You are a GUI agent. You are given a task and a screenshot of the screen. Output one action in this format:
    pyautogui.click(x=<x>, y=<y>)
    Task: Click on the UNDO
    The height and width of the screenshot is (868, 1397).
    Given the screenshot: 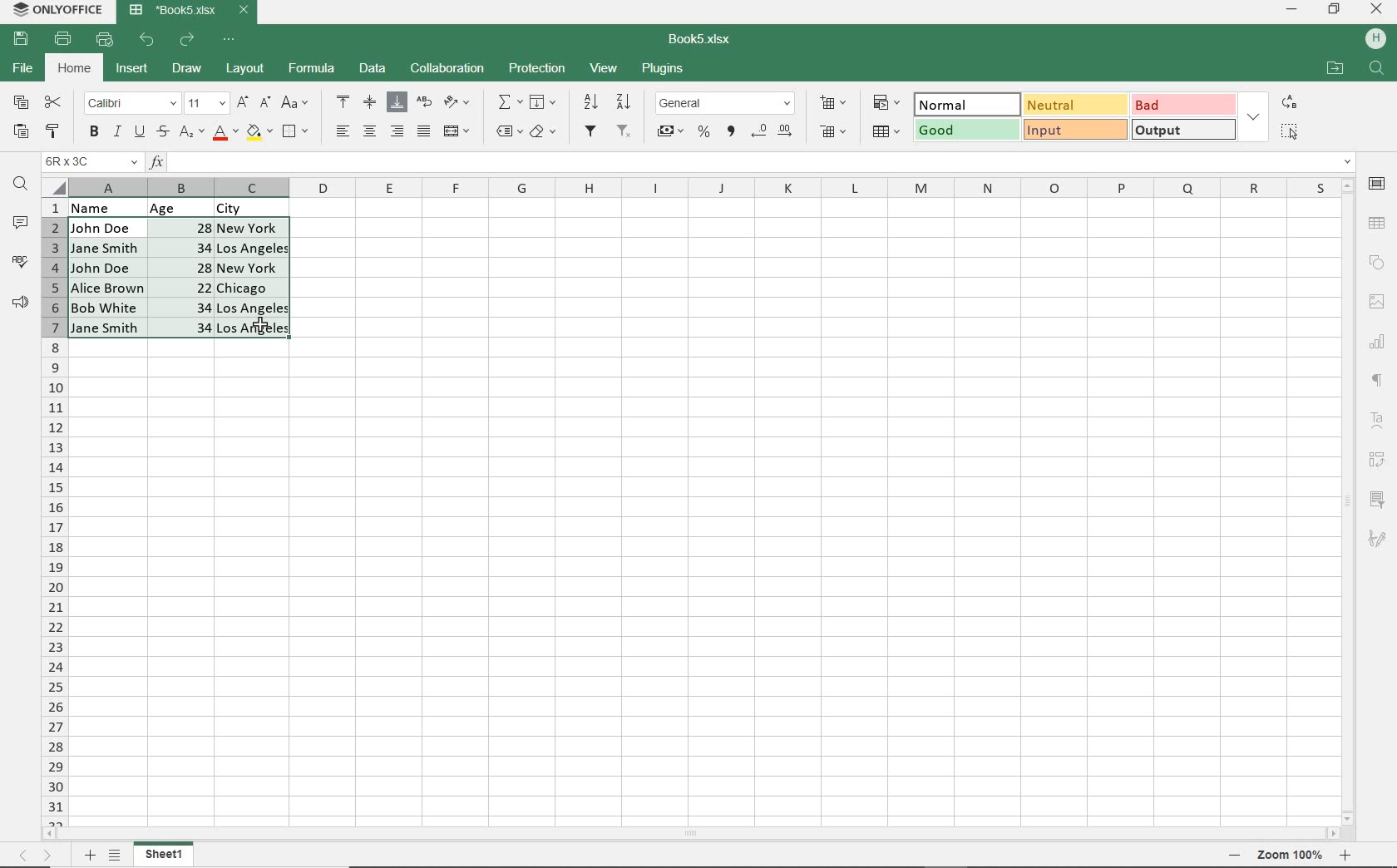 What is the action you would take?
    pyautogui.click(x=149, y=40)
    